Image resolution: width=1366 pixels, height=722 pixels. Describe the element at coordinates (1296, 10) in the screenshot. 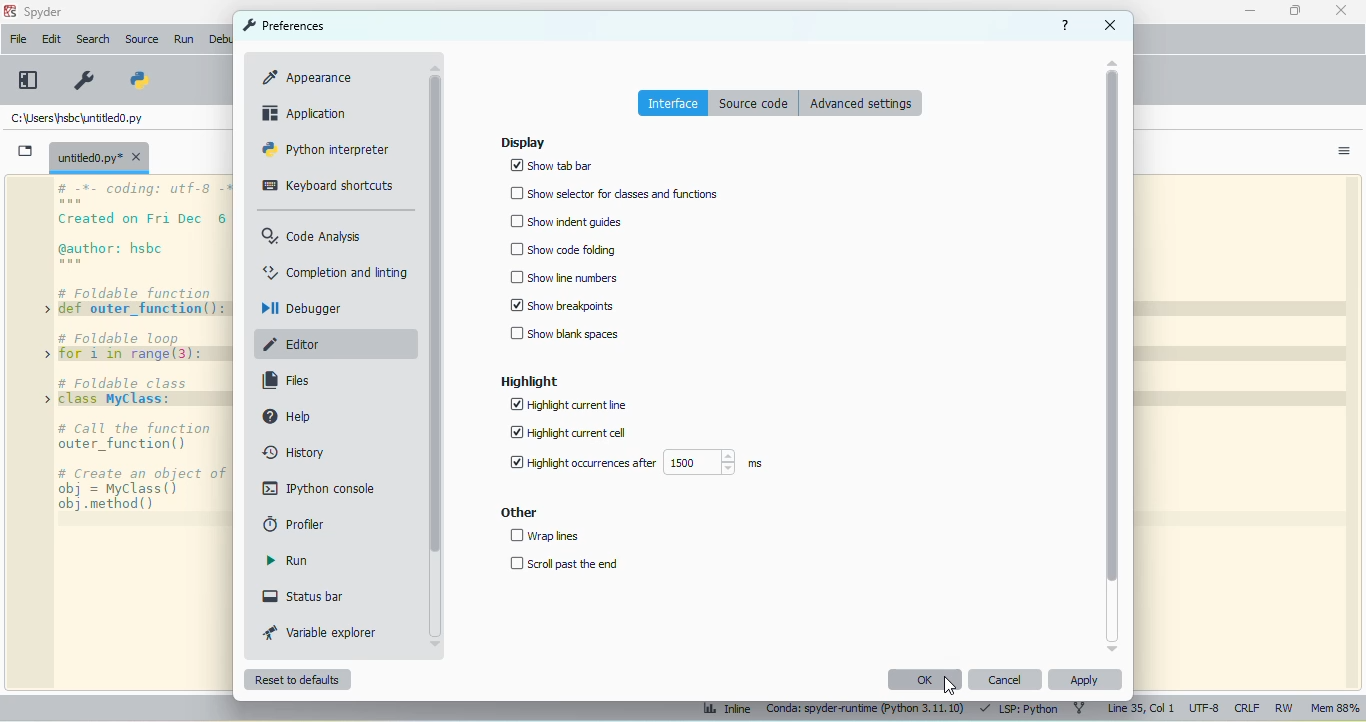

I see `maximize` at that location.